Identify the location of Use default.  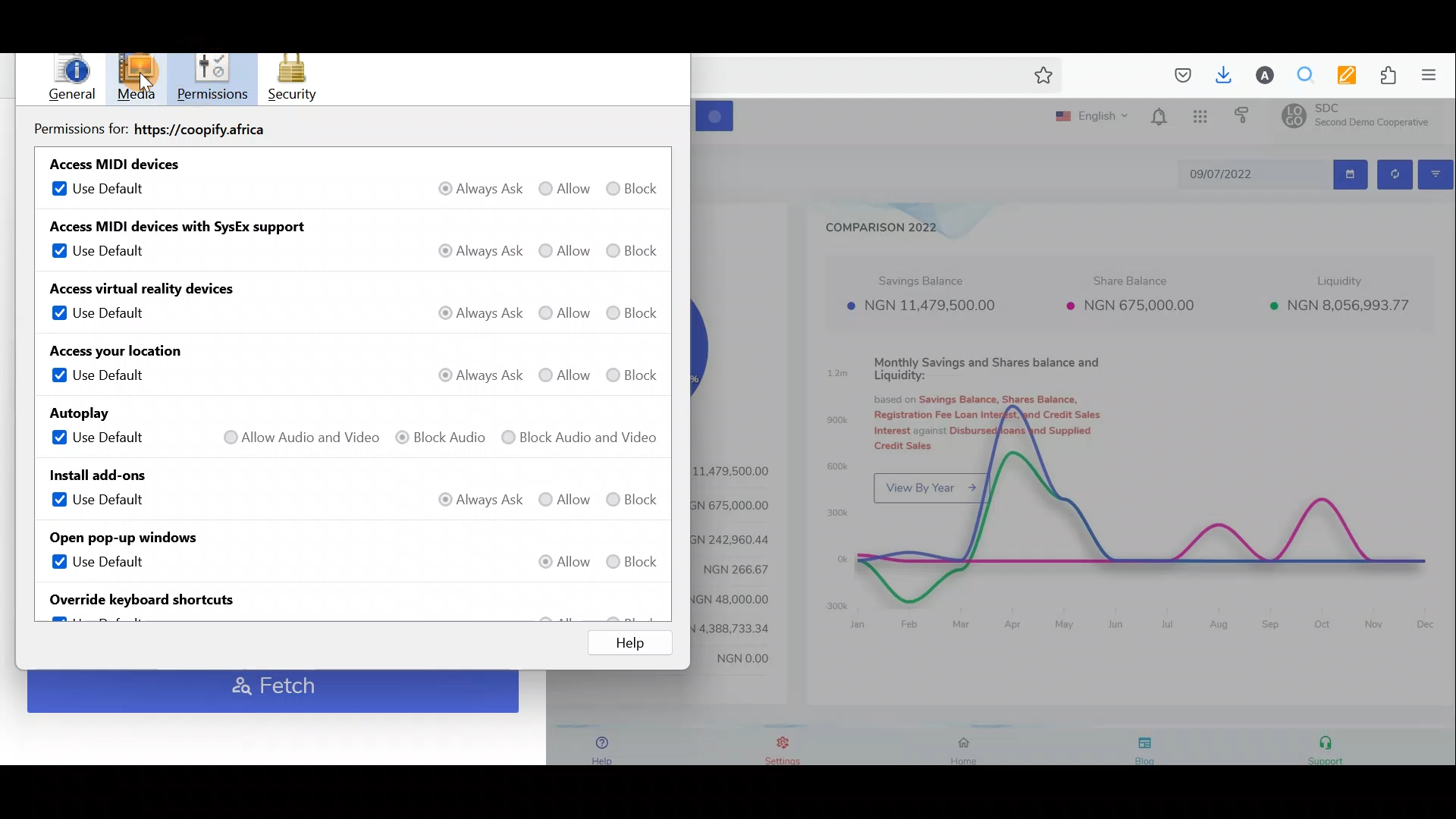
(95, 438).